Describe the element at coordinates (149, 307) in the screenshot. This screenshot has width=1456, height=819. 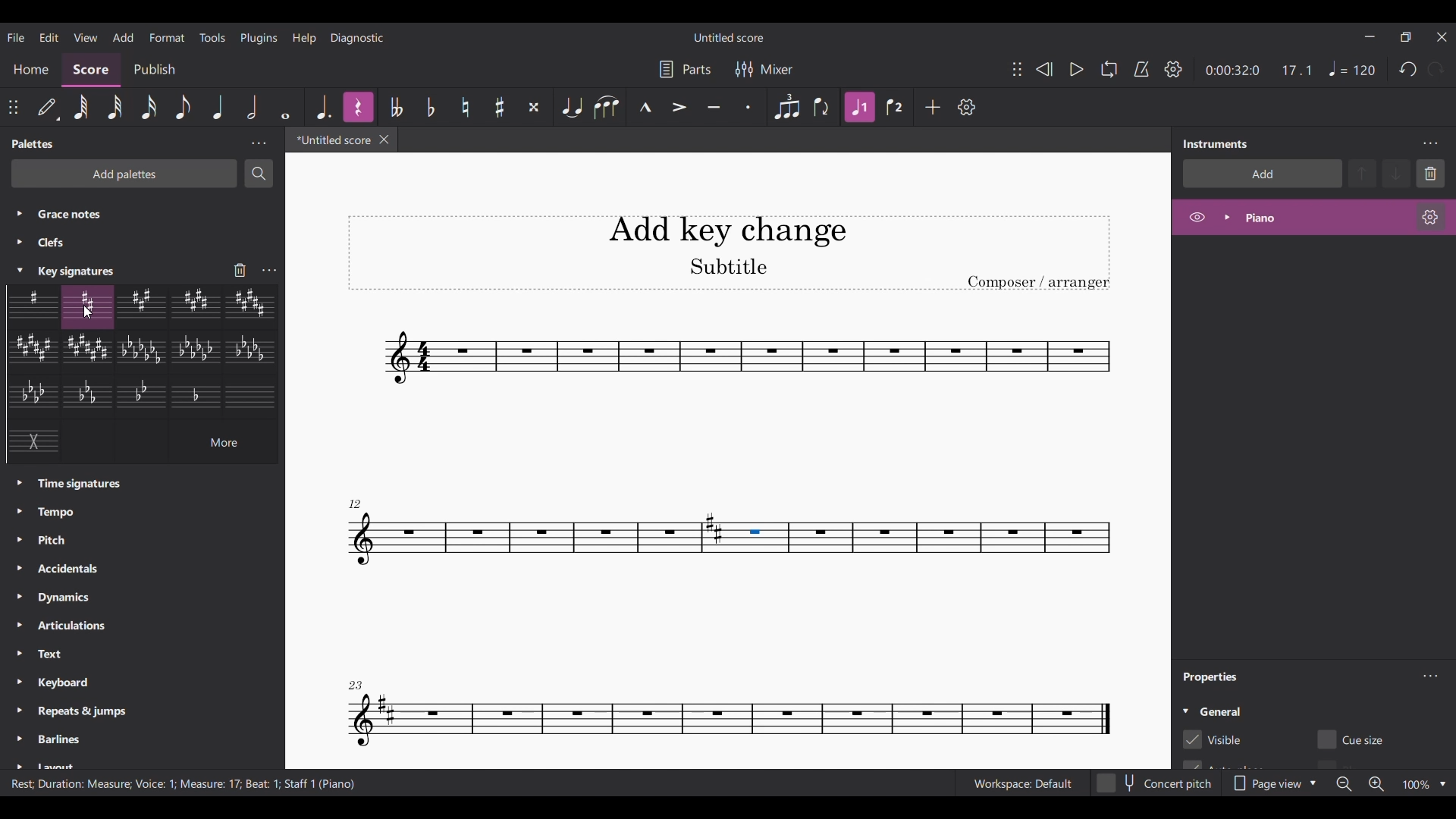
I see `Current selection highlighted` at that location.